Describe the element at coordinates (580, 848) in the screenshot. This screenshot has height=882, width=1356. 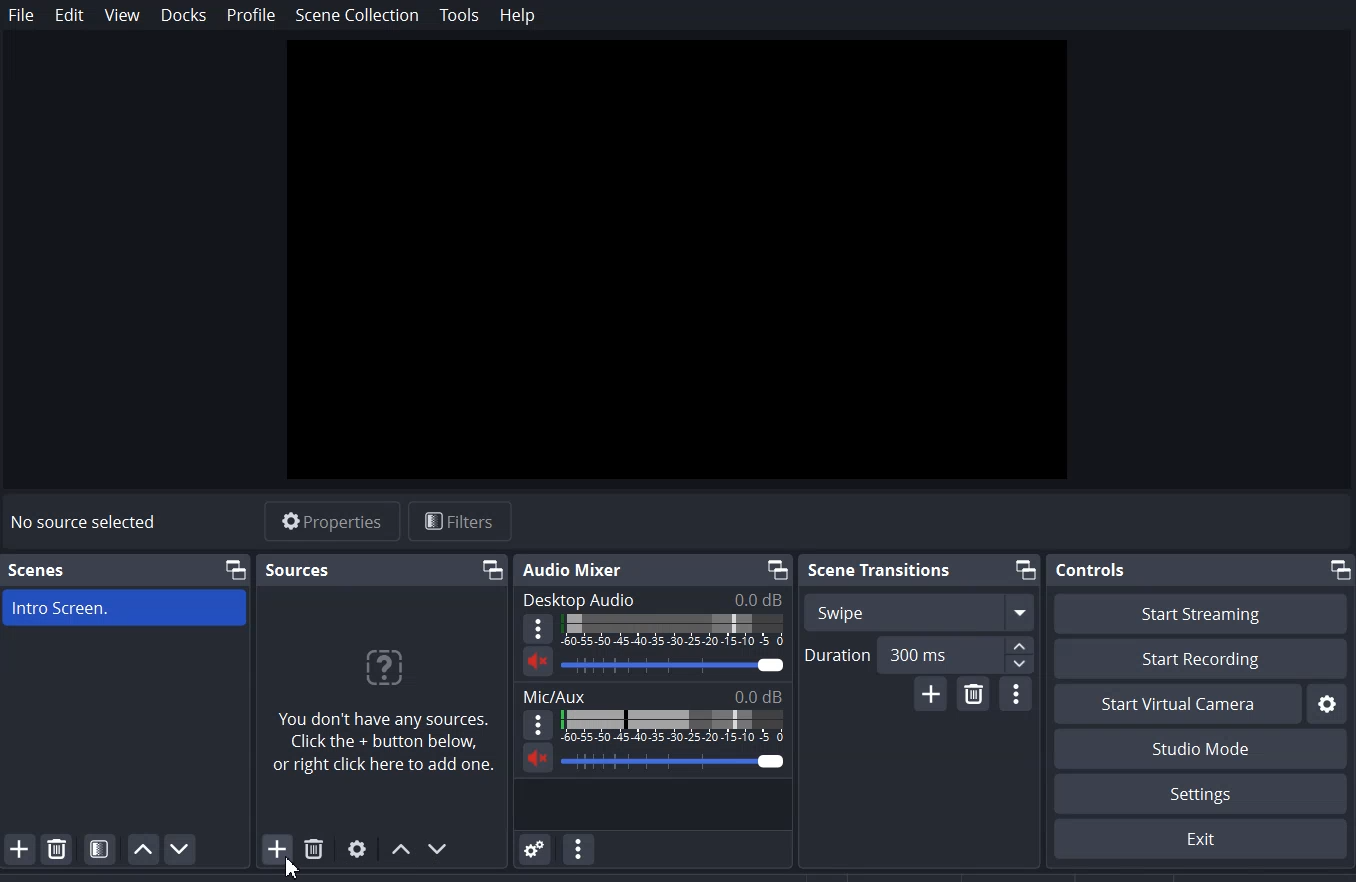
I see `Audio Mixer Menu` at that location.